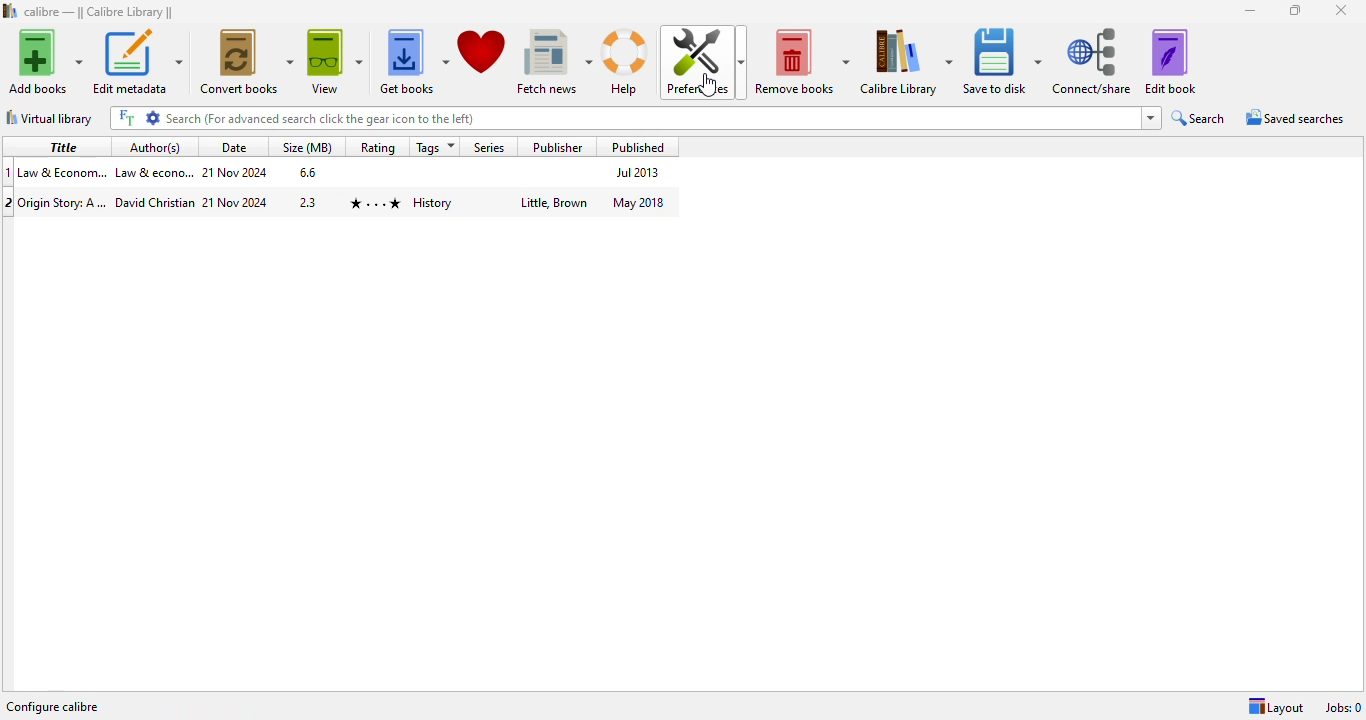  What do you see at coordinates (1277, 706) in the screenshot?
I see `layout` at bounding box center [1277, 706].